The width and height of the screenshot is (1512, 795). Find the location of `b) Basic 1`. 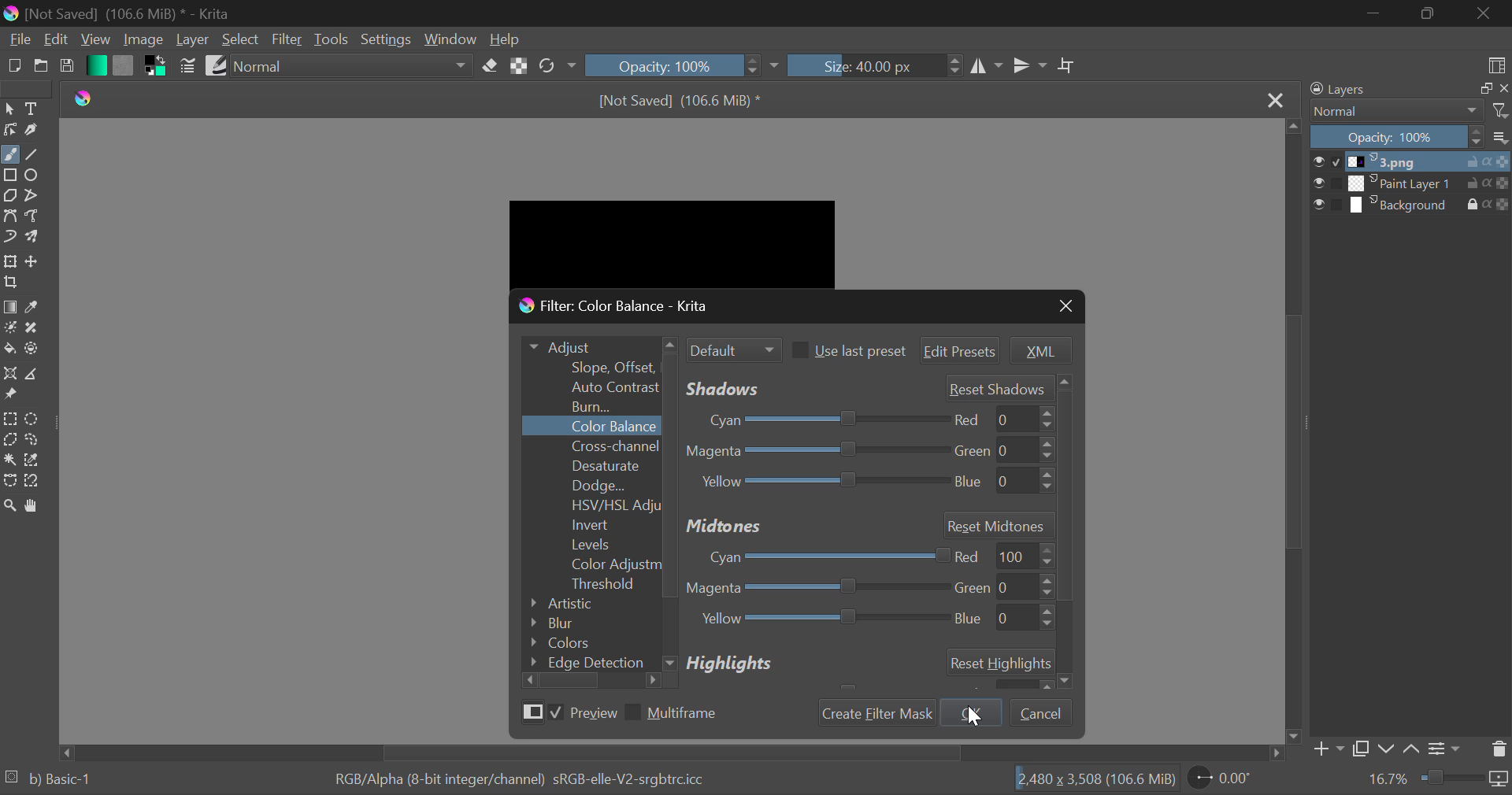

b) Basic 1 is located at coordinates (58, 781).